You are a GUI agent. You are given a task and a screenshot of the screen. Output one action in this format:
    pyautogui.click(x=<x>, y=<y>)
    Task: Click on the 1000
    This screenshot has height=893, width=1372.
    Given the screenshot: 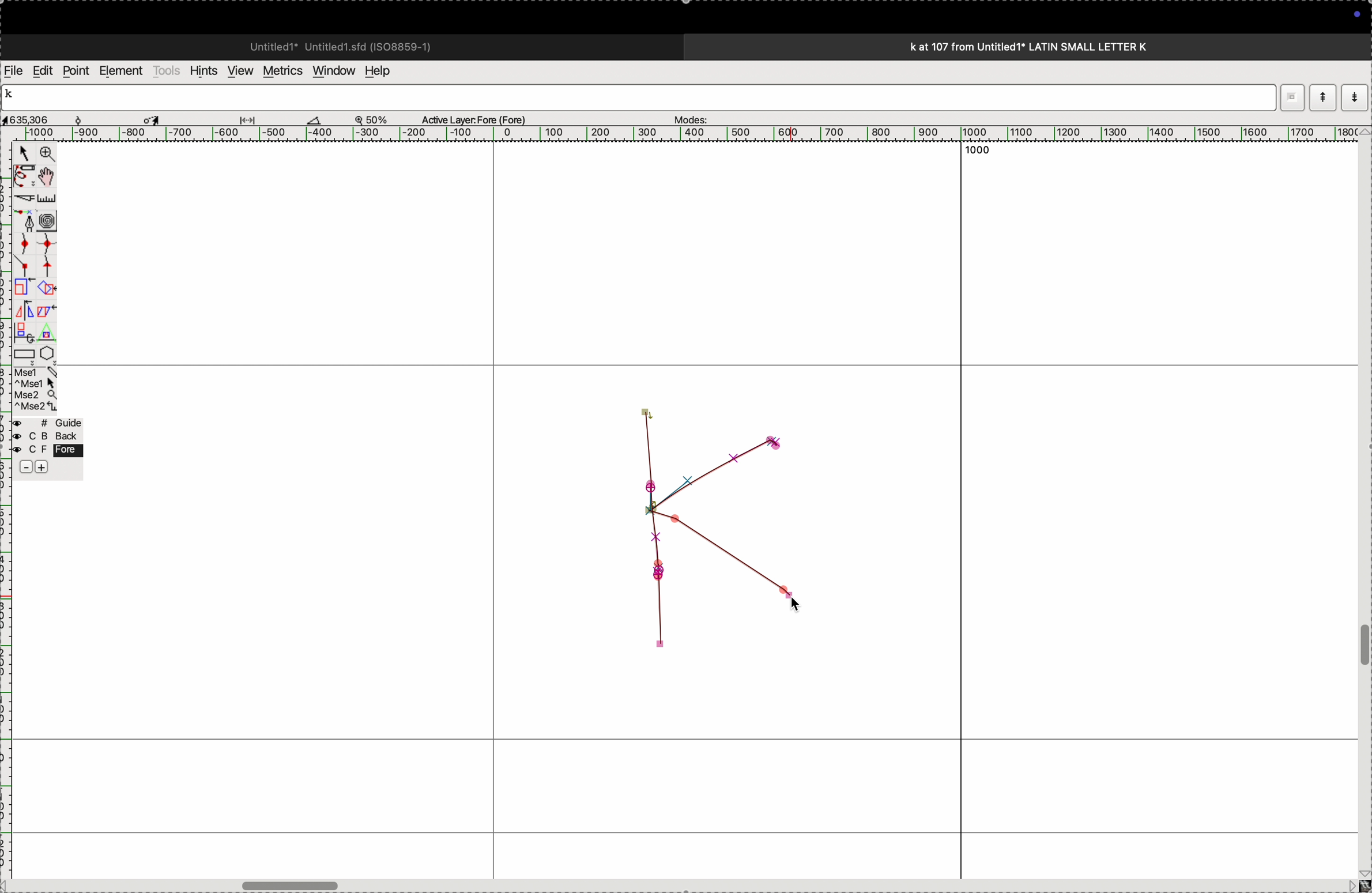 What is the action you would take?
    pyautogui.click(x=973, y=155)
    